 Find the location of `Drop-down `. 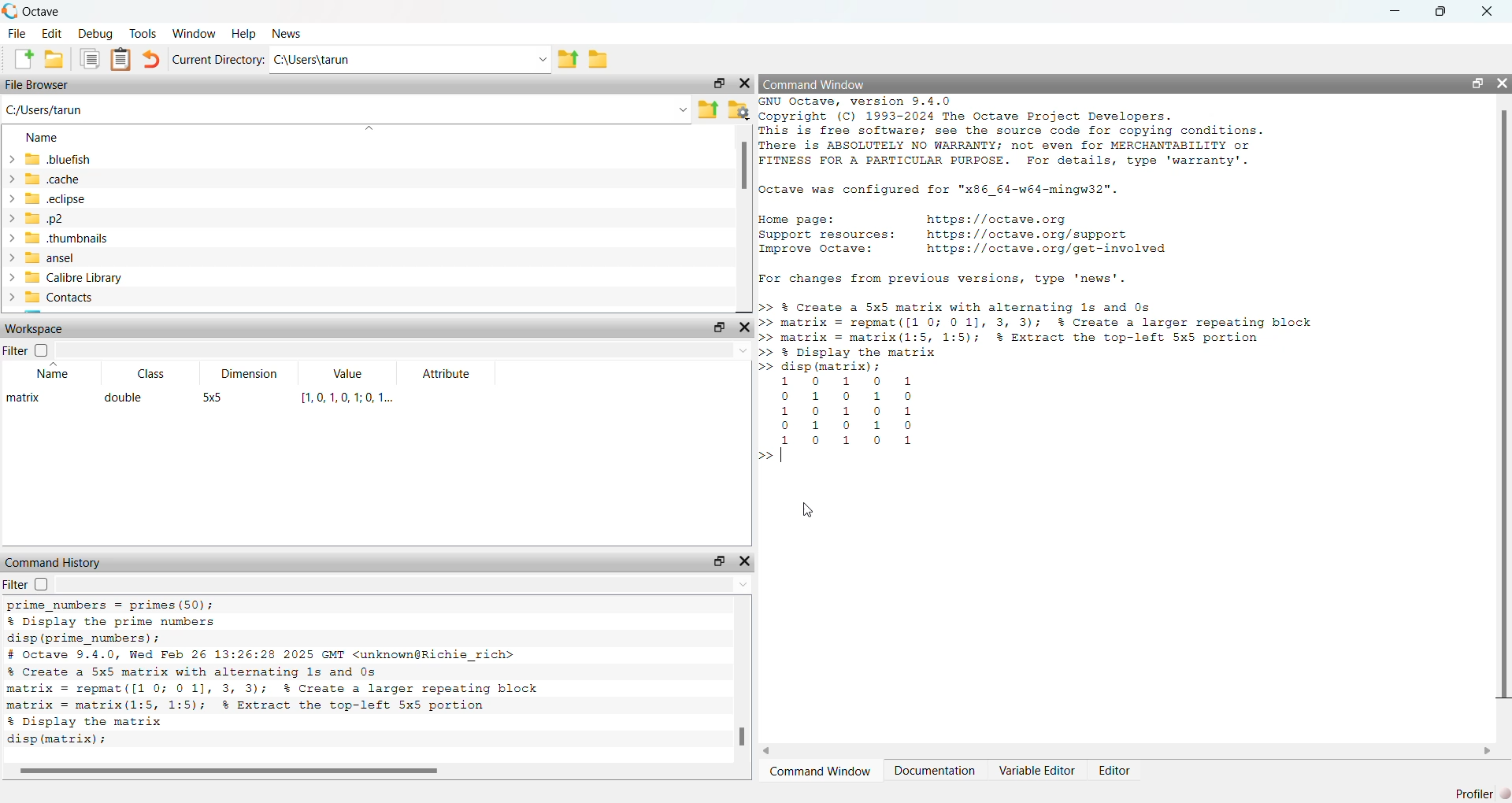

Drop-down  is located at coordinates (743, 350).